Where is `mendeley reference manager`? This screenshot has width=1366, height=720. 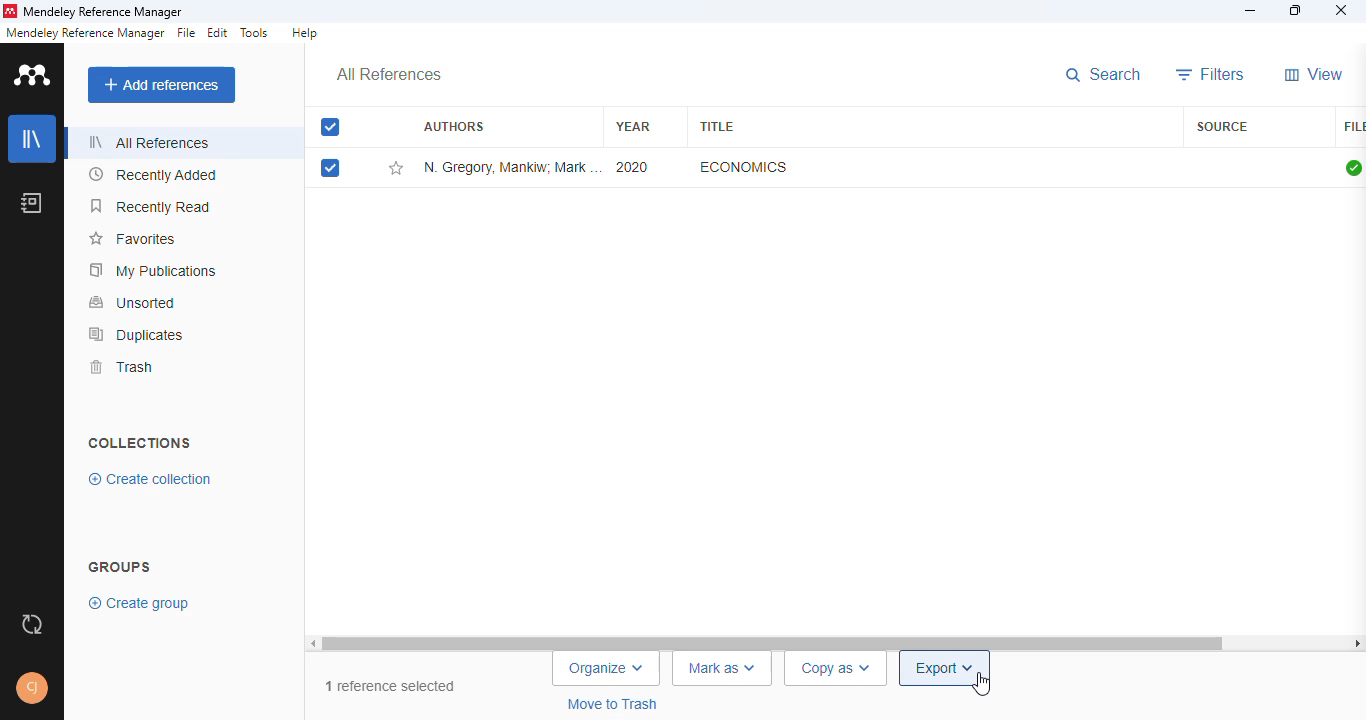 mendeley reference manager is located at coordinates (85, 33).